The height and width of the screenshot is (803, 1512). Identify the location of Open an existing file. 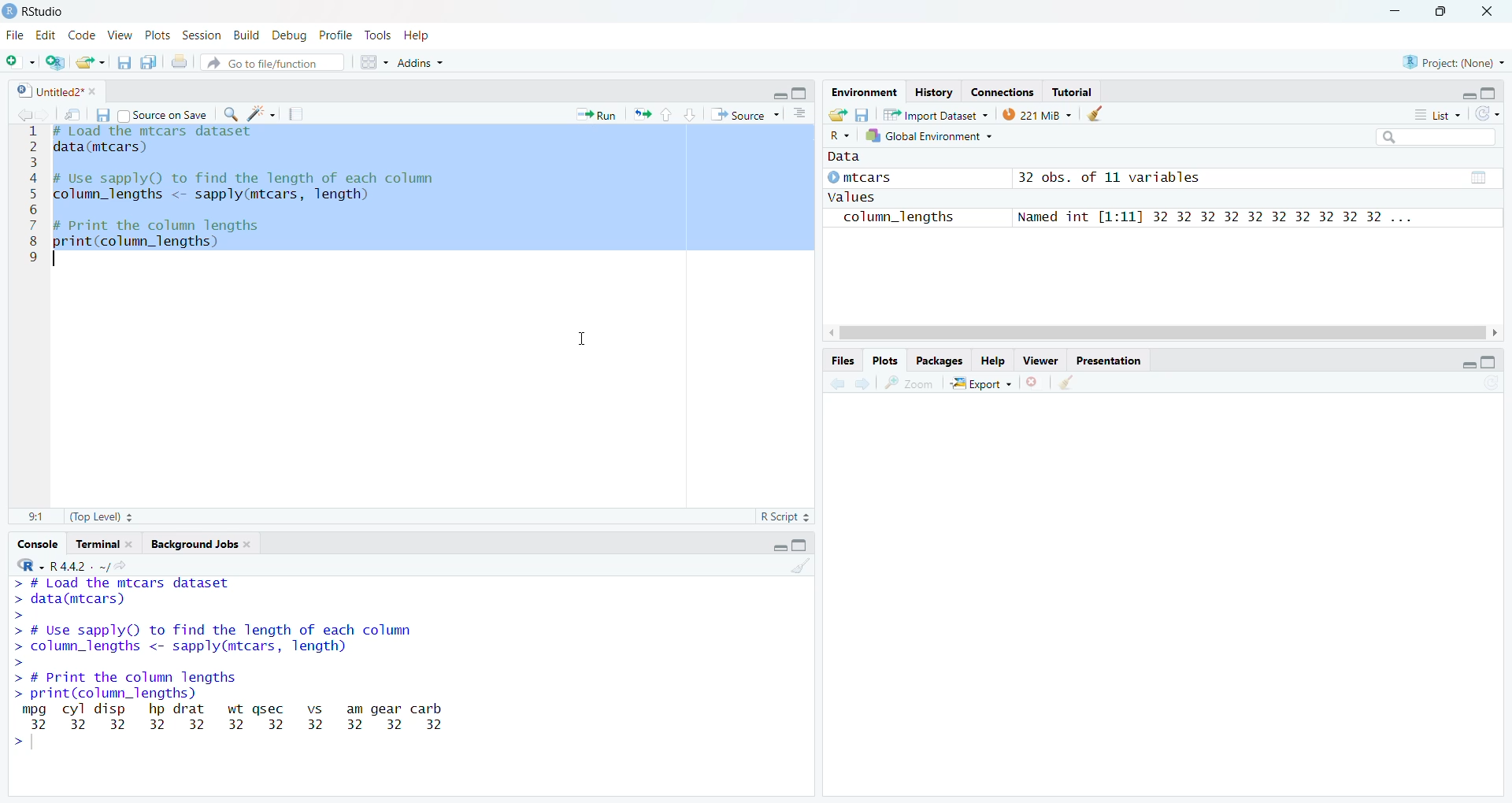
(90, 62).